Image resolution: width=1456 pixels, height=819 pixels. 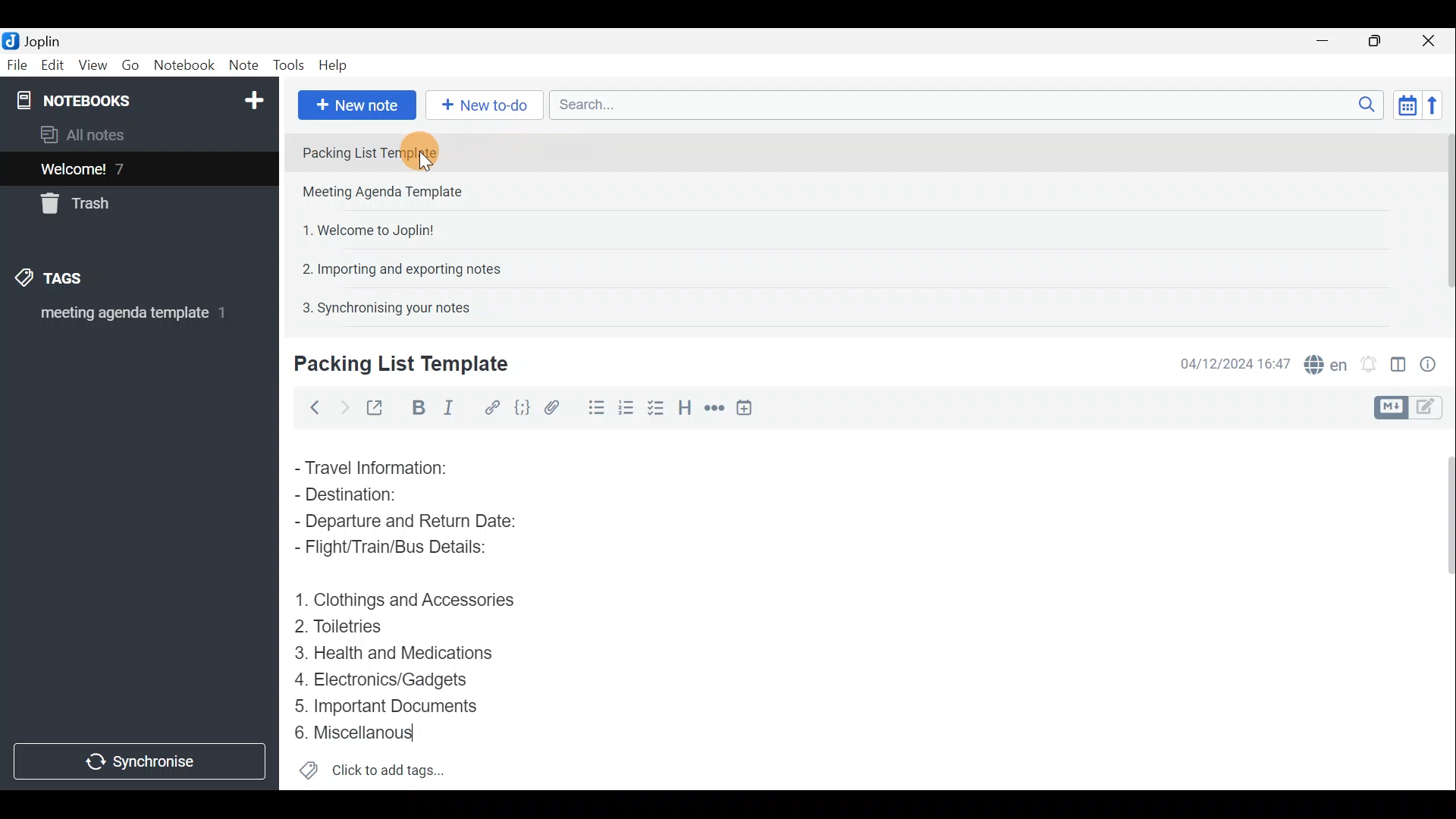 I want to click on Date & time, so click(x=1235, y=362).